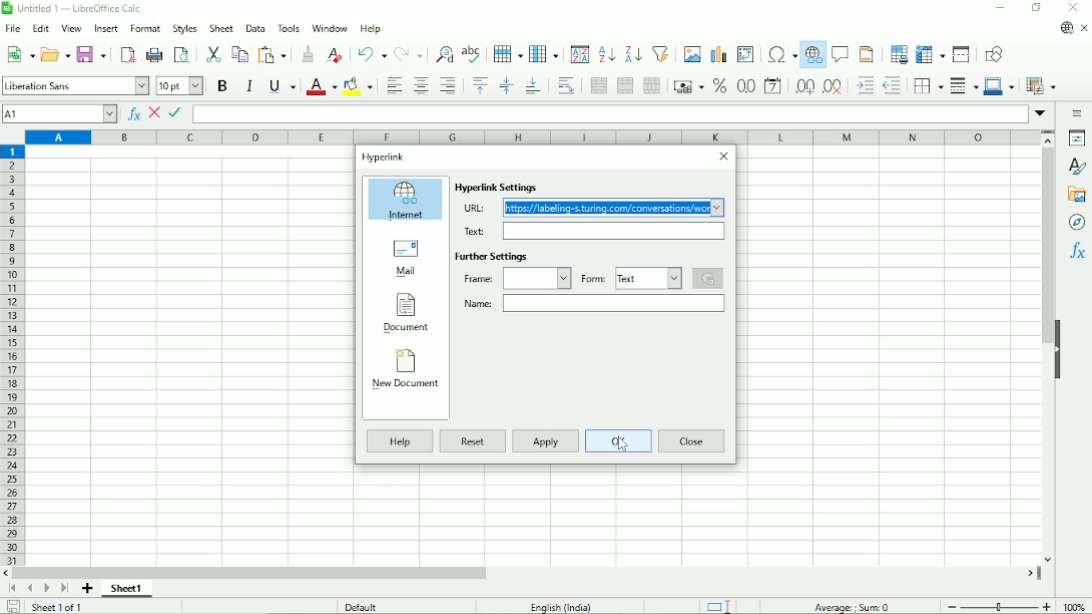  I want to click on Merge and center, so click(597, 86).